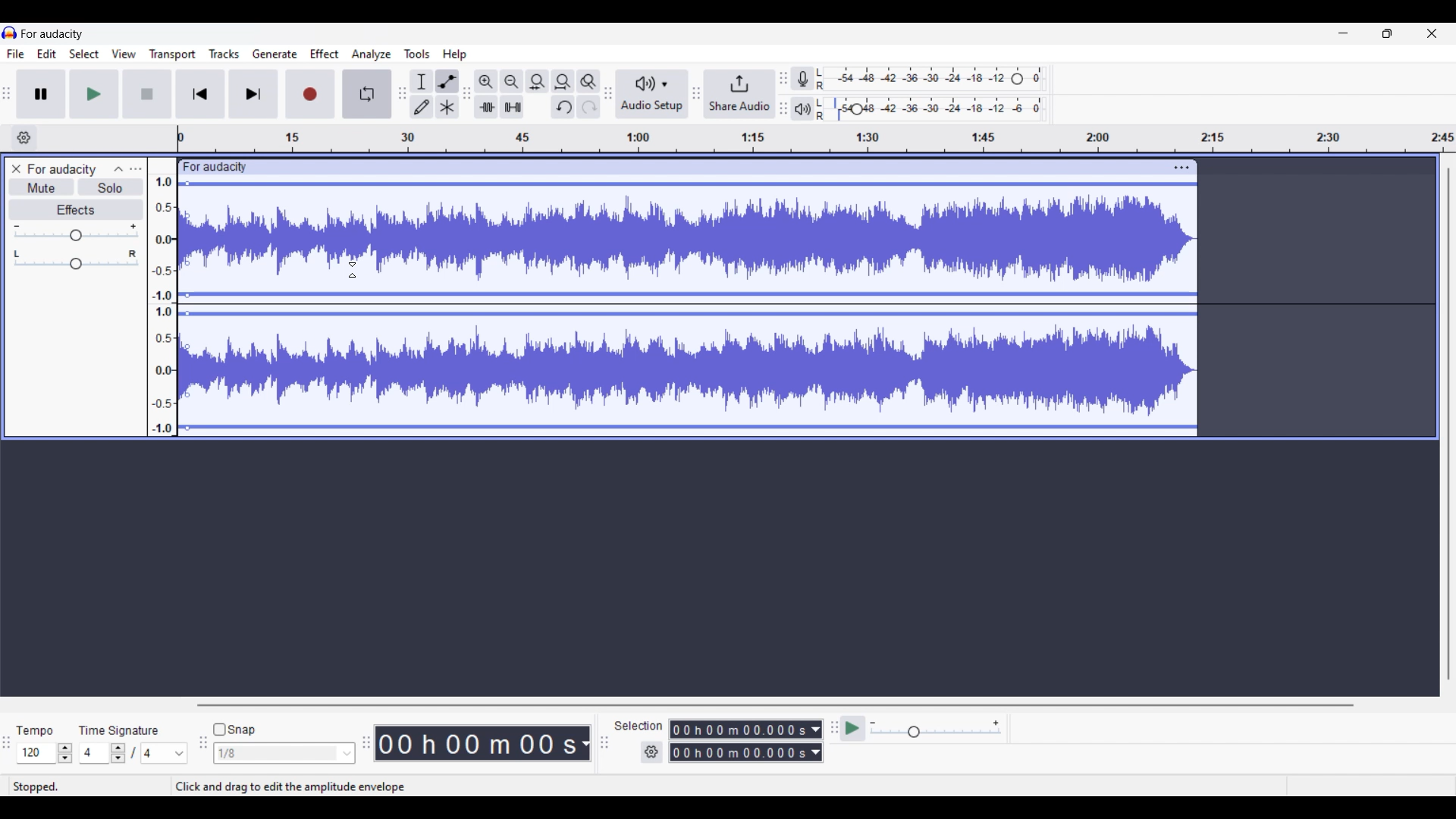  Describe the element at coordinates (124, 54) in the screenshot. I see `View` at that location.